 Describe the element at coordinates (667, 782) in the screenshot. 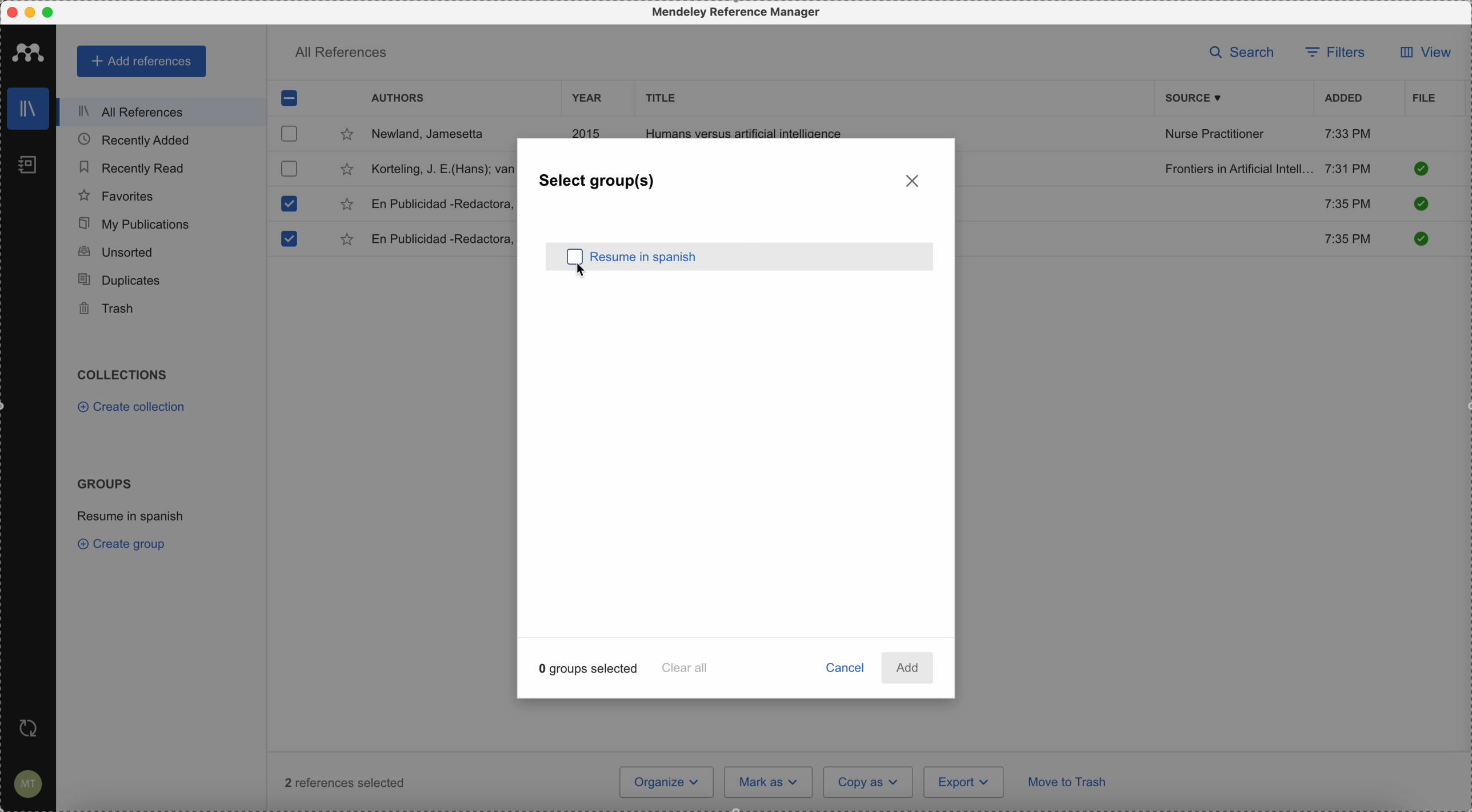

I see `organize` at that location.